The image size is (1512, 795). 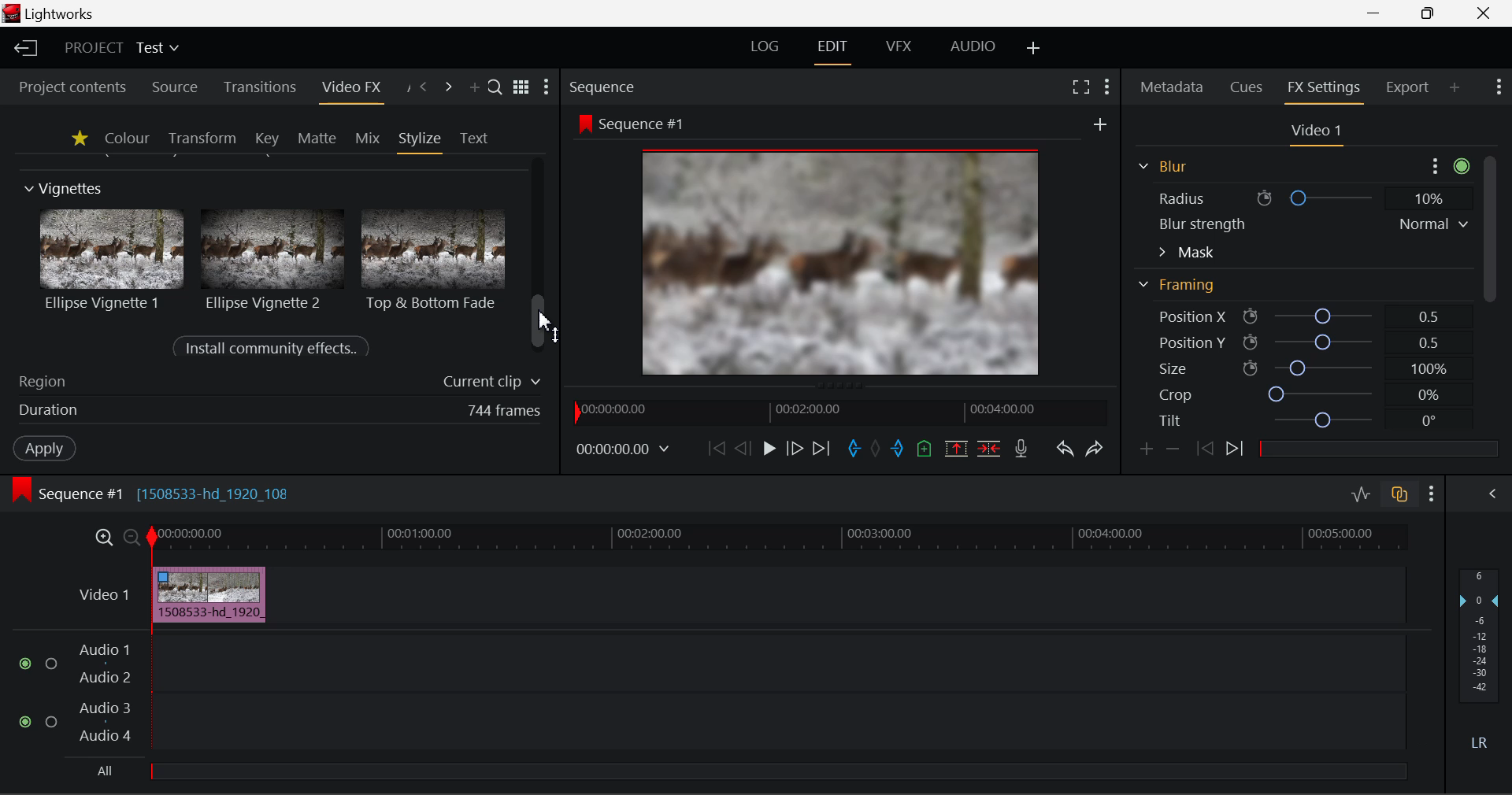 I want to click on Decibel Level, so click(x=1480, y=664).